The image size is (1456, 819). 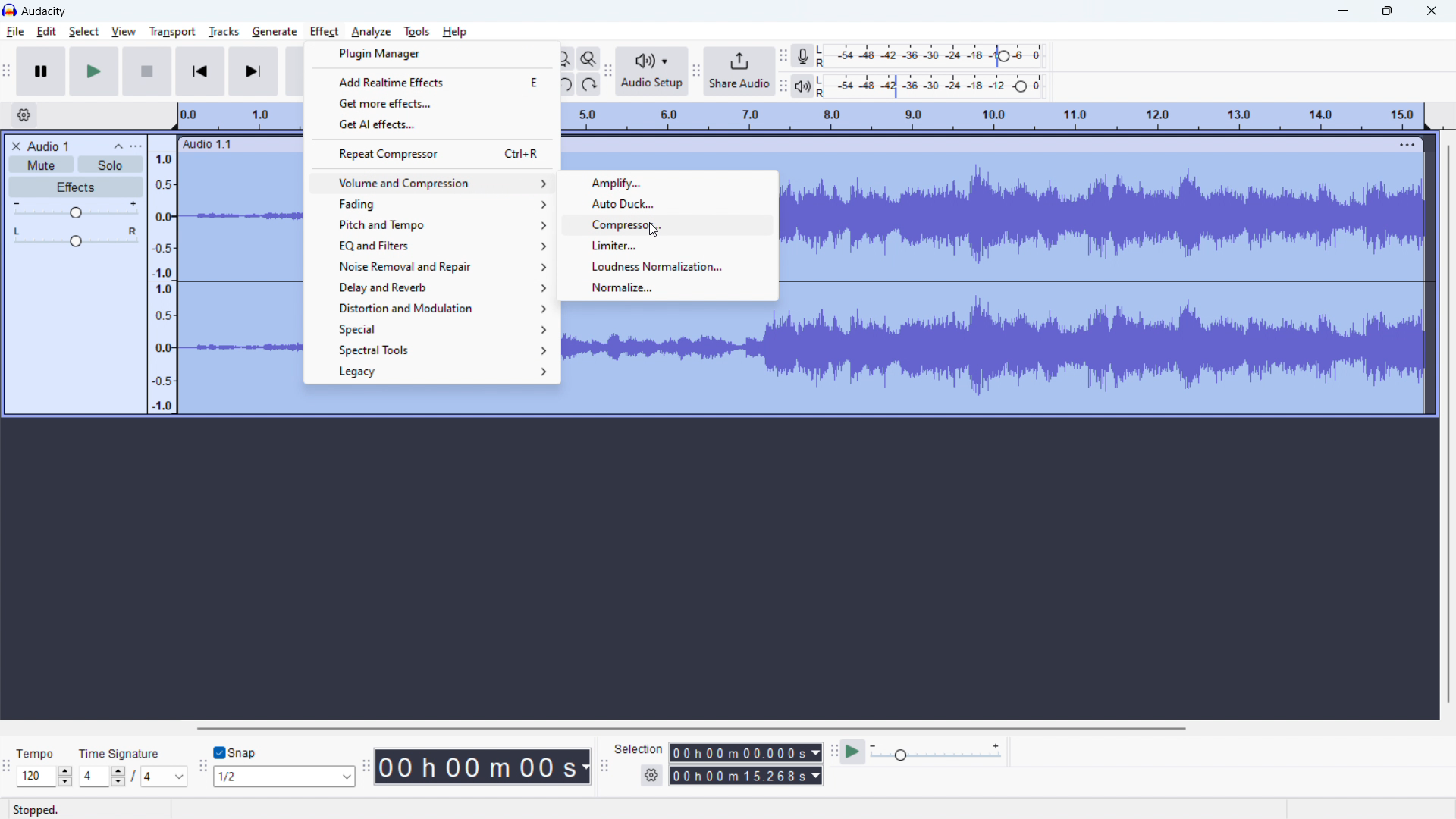 I want to click on playback speed, so click(x=937, y=752).